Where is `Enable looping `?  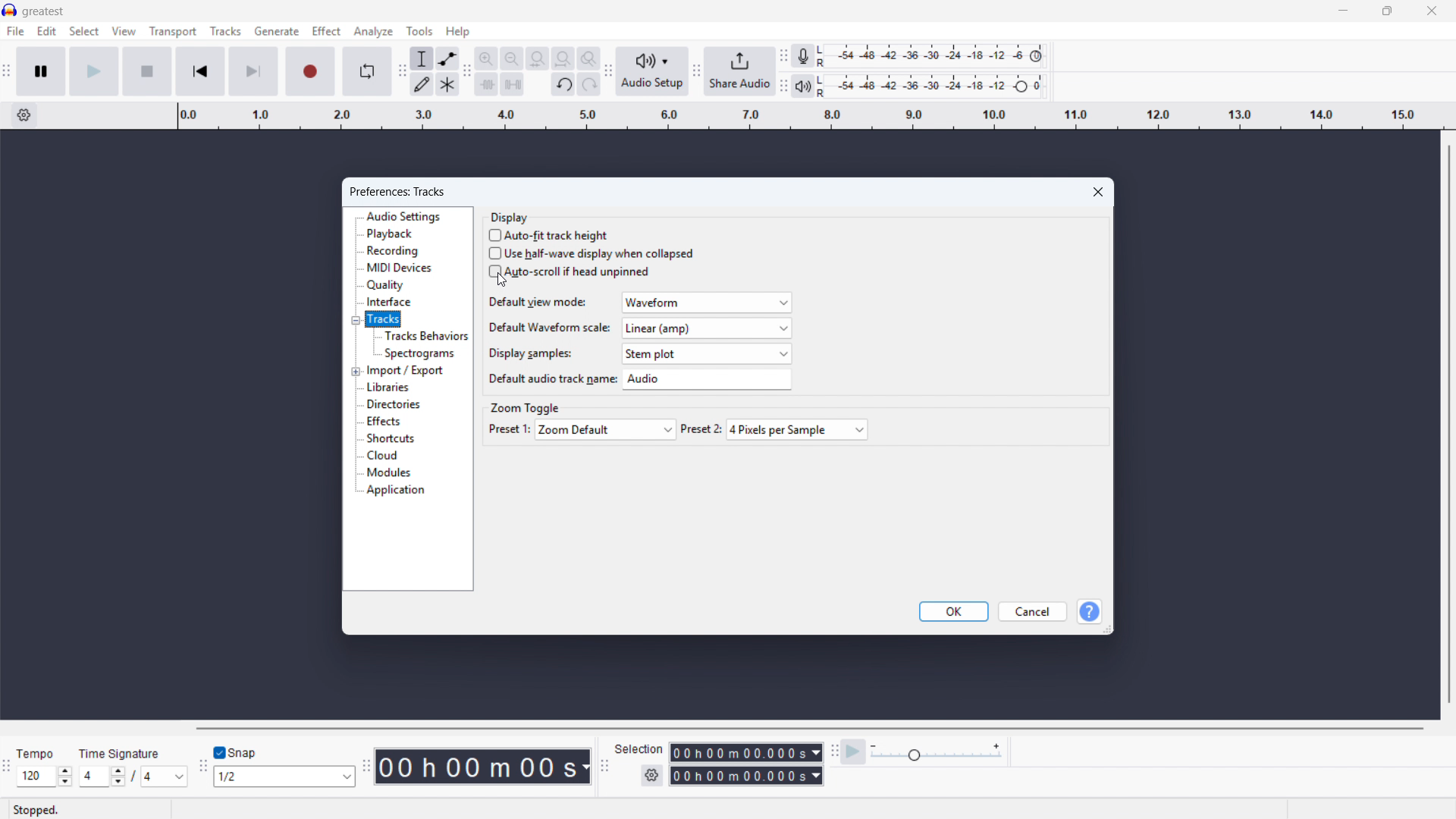 Enable looping  is located at coordinates (368, 71).